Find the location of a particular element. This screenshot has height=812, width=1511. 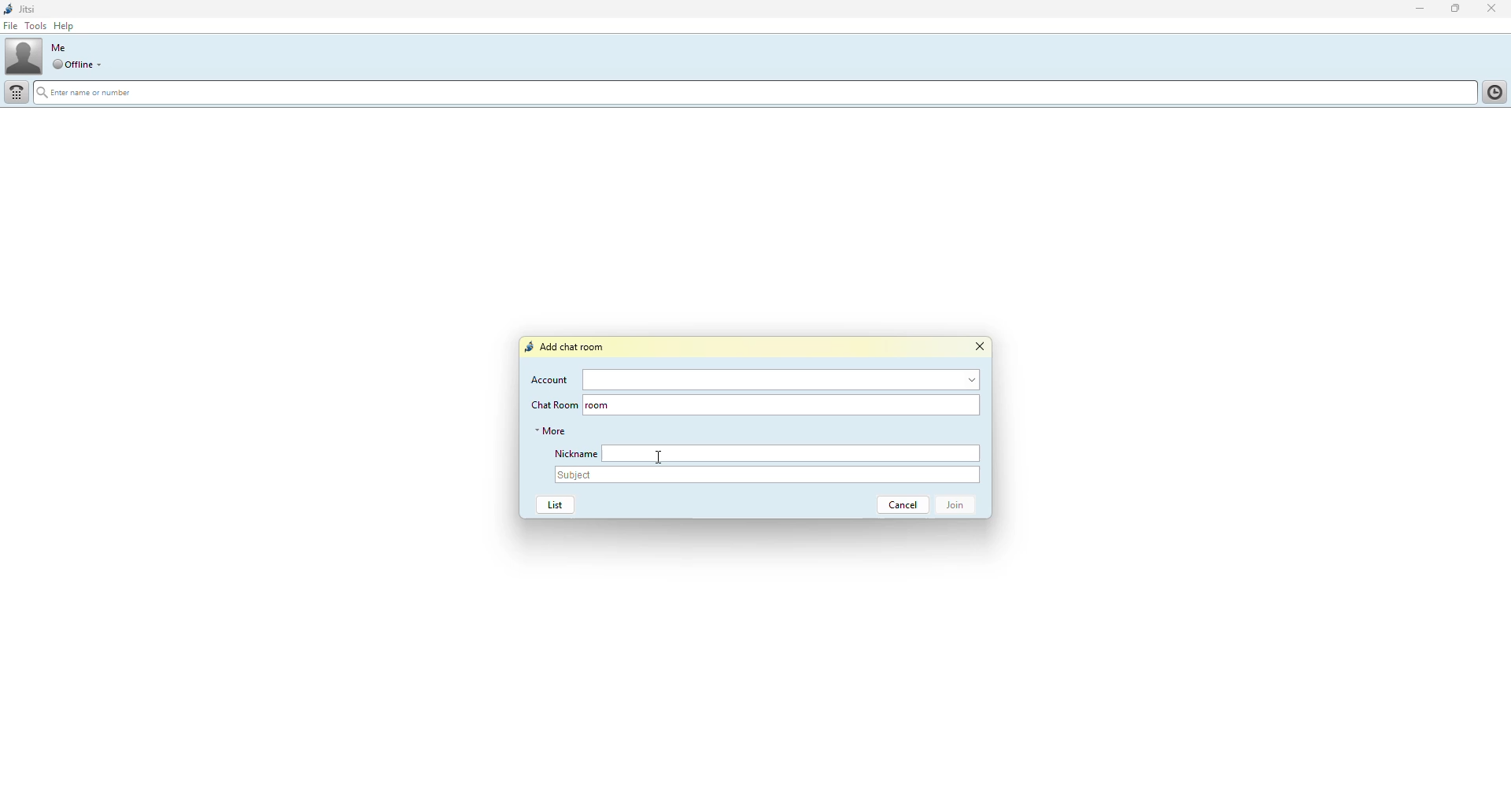

drop down is located at coordinates (102, 65).